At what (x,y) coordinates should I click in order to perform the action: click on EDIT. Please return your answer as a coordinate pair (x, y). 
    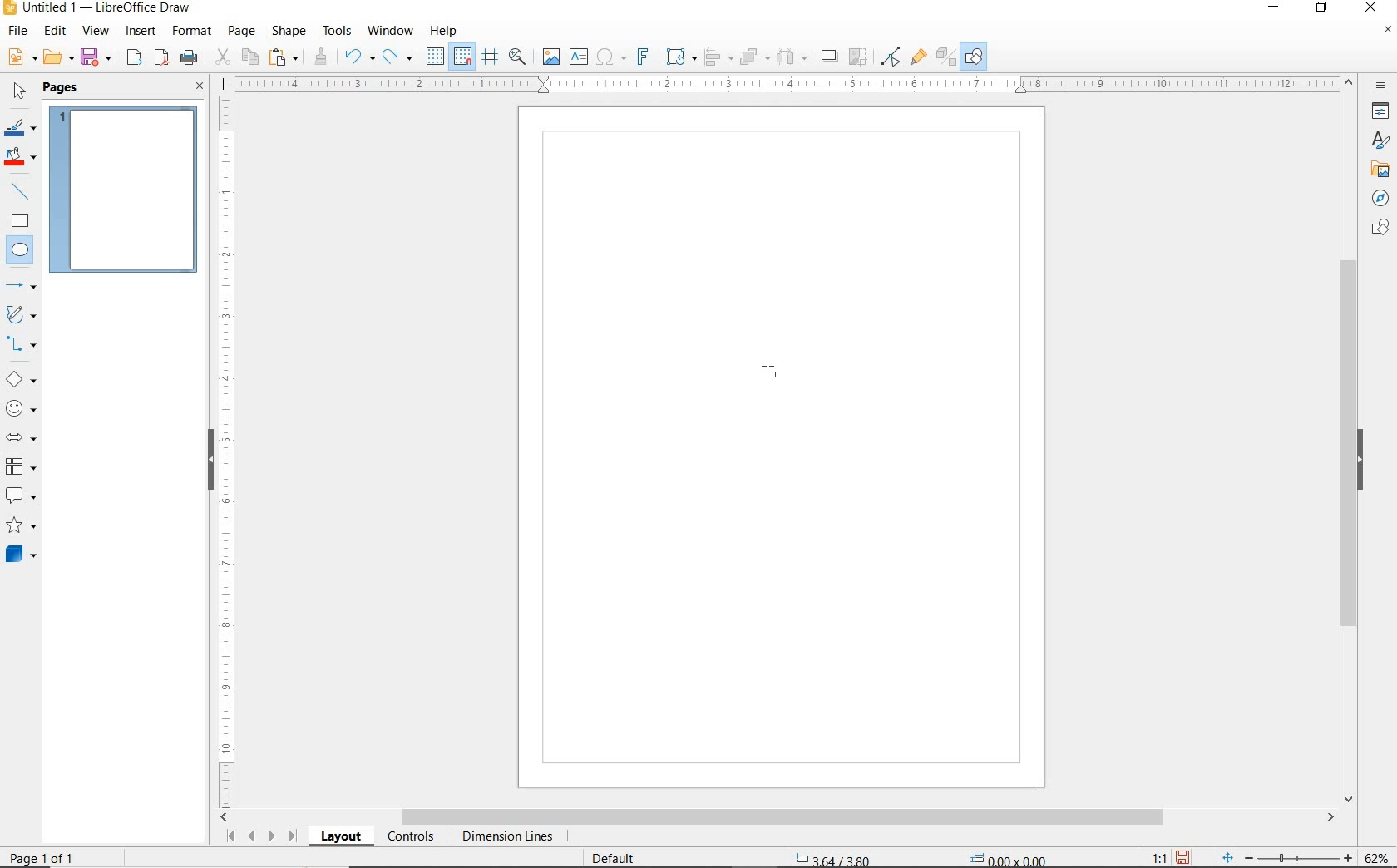
    Looking at the image, I should click on (56, 31).